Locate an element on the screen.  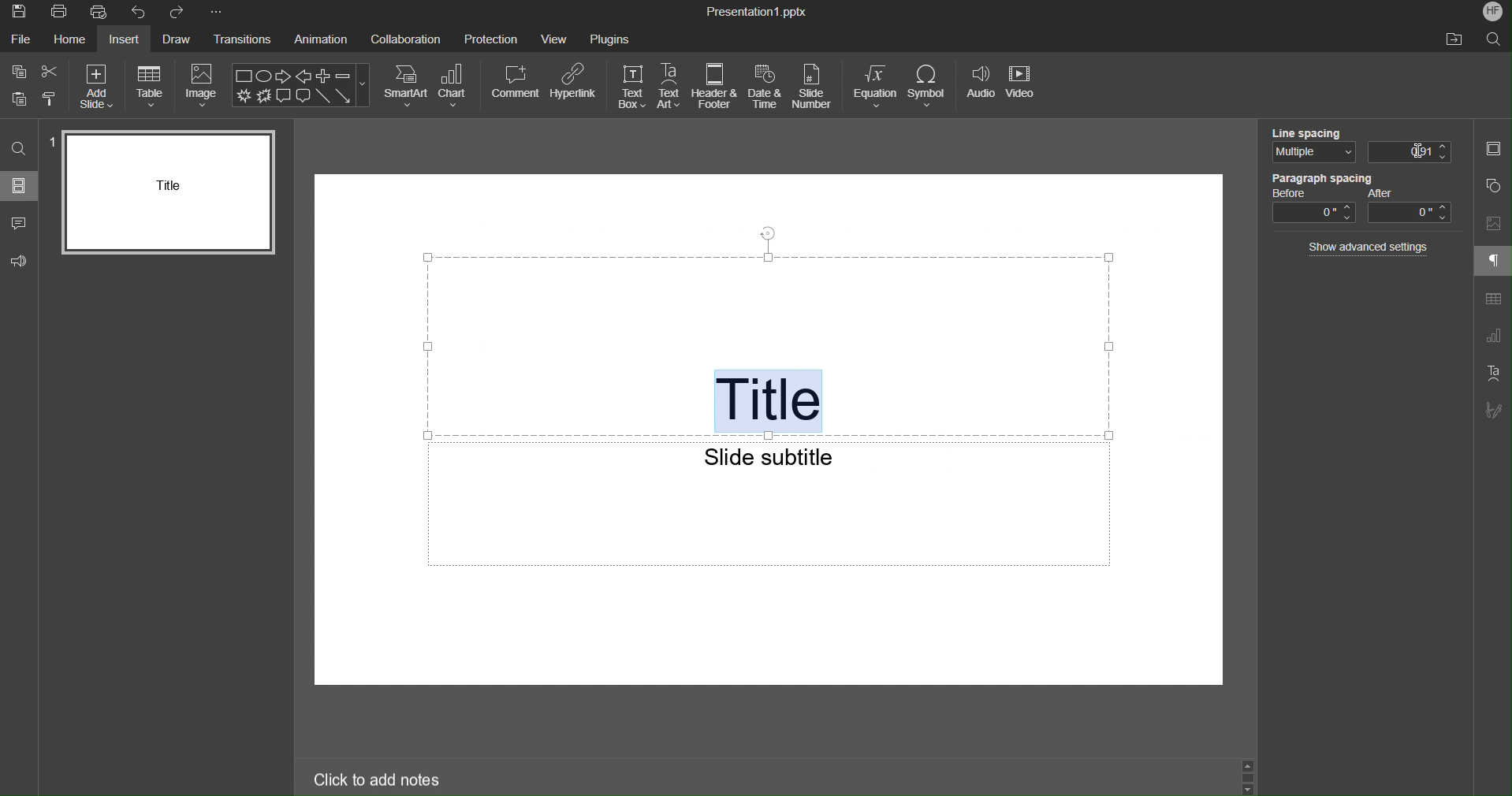
Graph Setting is located at coordinates (1493, 337).